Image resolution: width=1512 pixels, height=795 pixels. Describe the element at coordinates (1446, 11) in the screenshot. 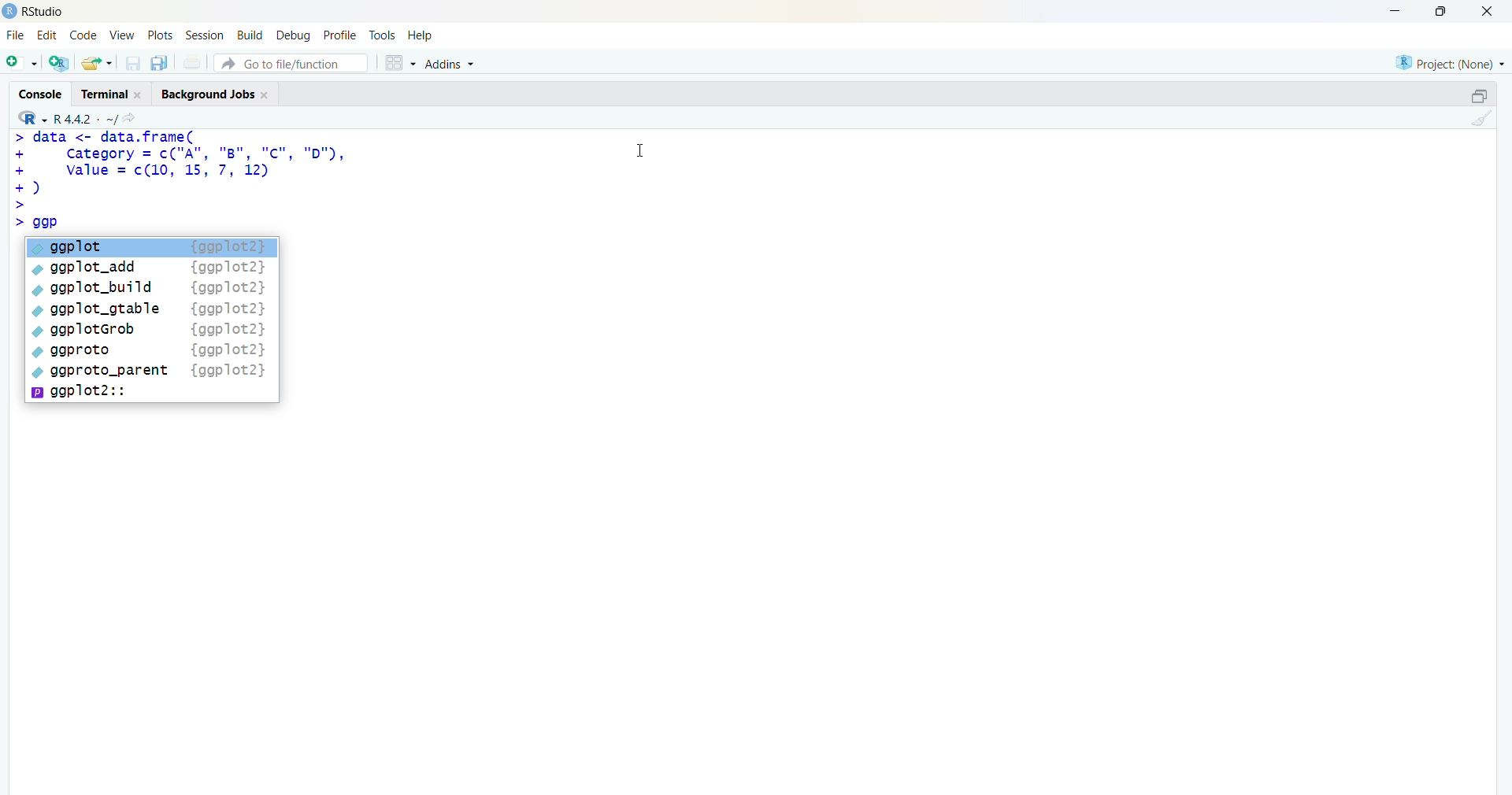

I see `maximize` at that location.